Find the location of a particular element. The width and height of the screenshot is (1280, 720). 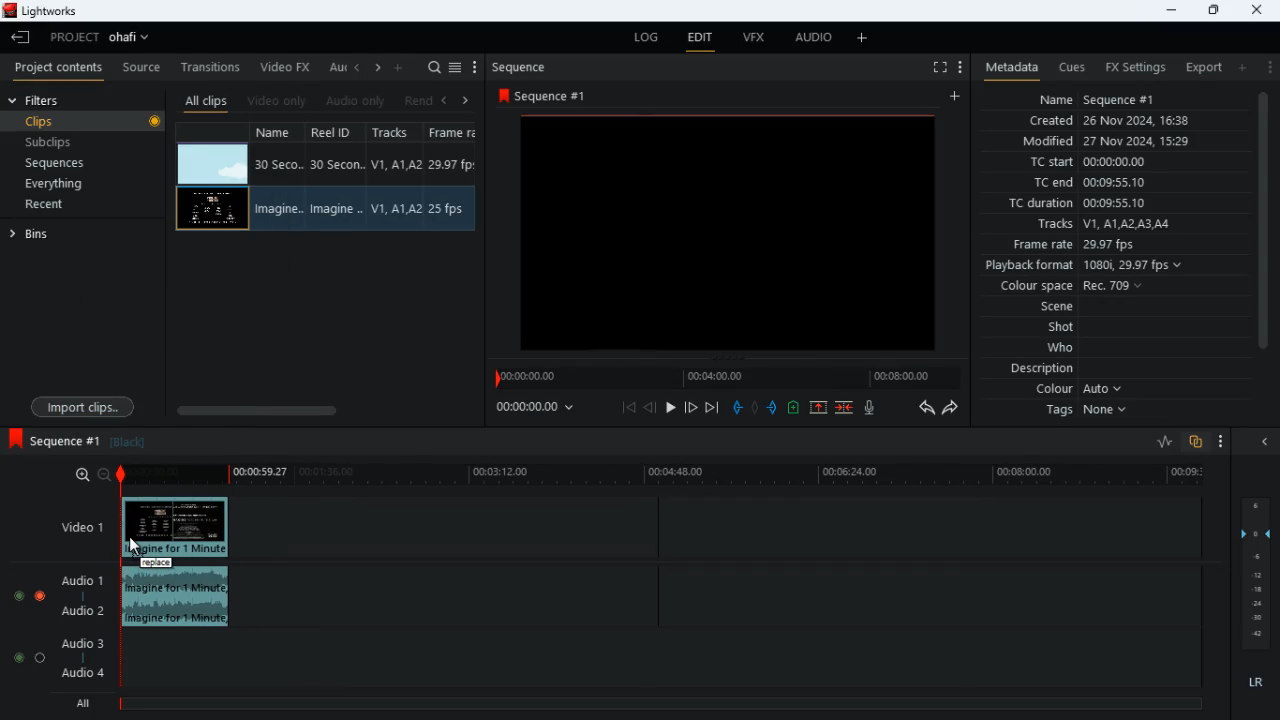

tags is located at coordinates (1091, 411).